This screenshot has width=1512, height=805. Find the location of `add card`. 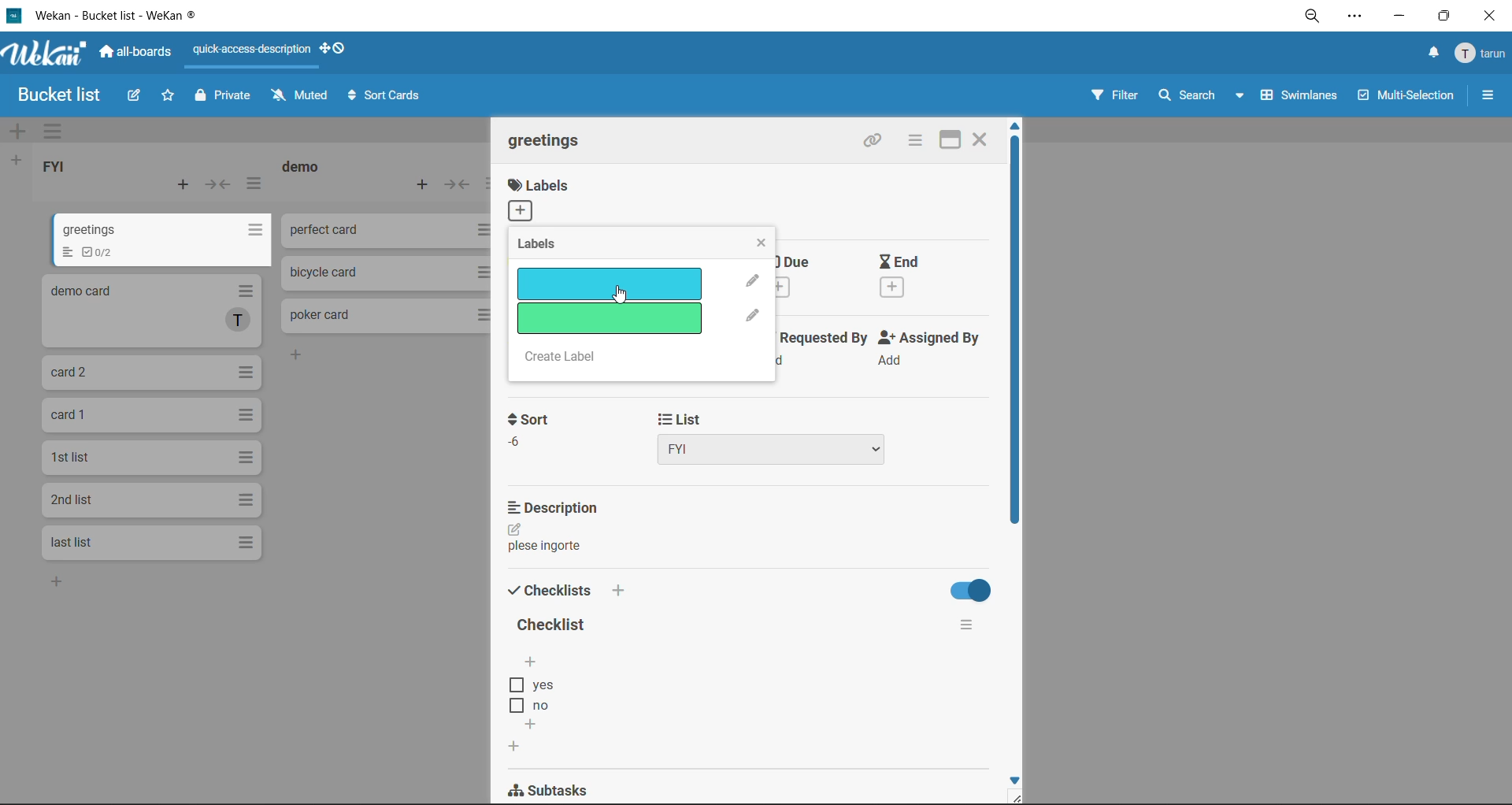

add card is located at coordinates (180, 183).